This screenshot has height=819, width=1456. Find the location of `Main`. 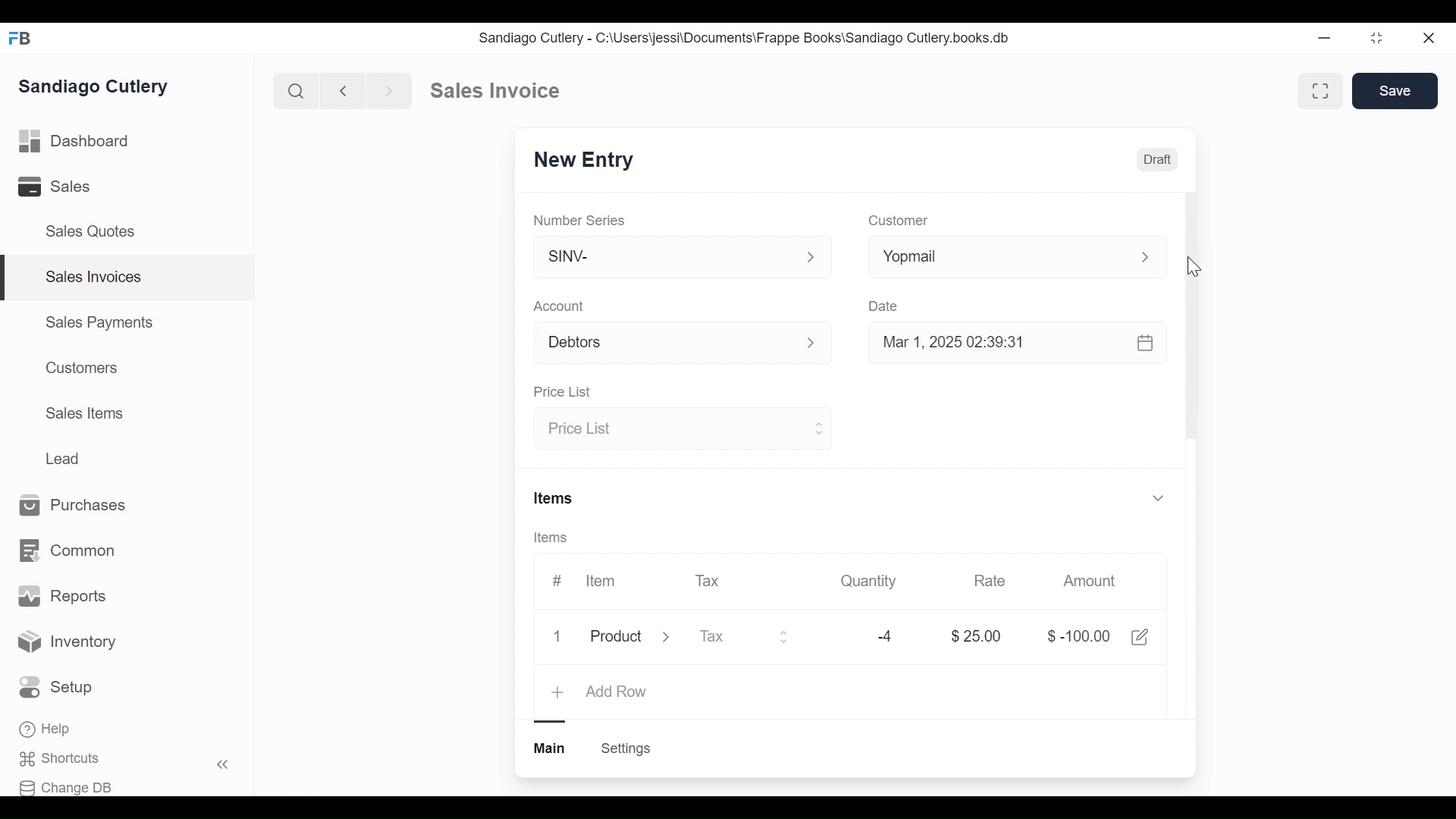

Main is located at coordinates (551, 748).